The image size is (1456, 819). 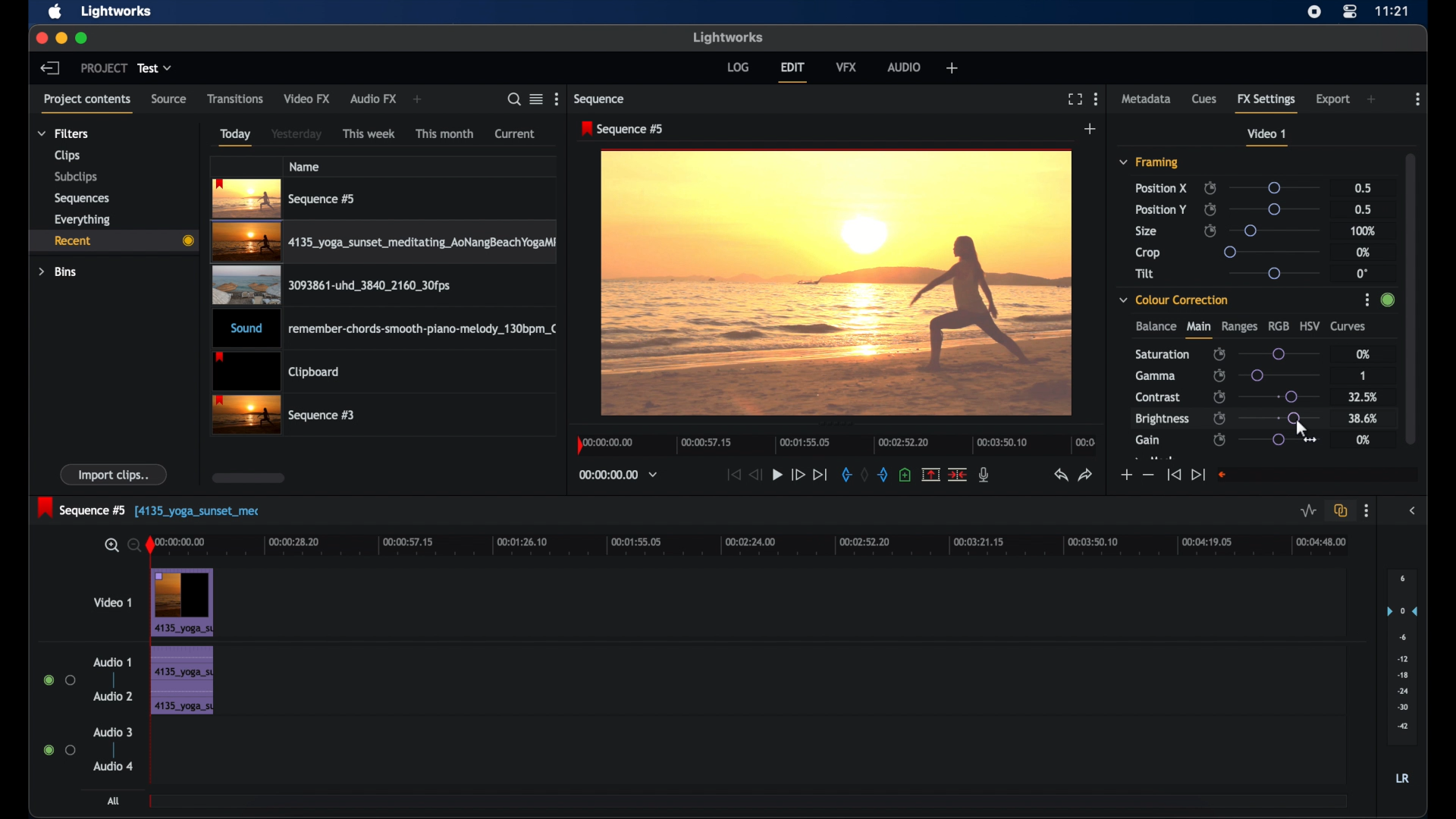 I want to click on vfx, so click(x=846, y=66).